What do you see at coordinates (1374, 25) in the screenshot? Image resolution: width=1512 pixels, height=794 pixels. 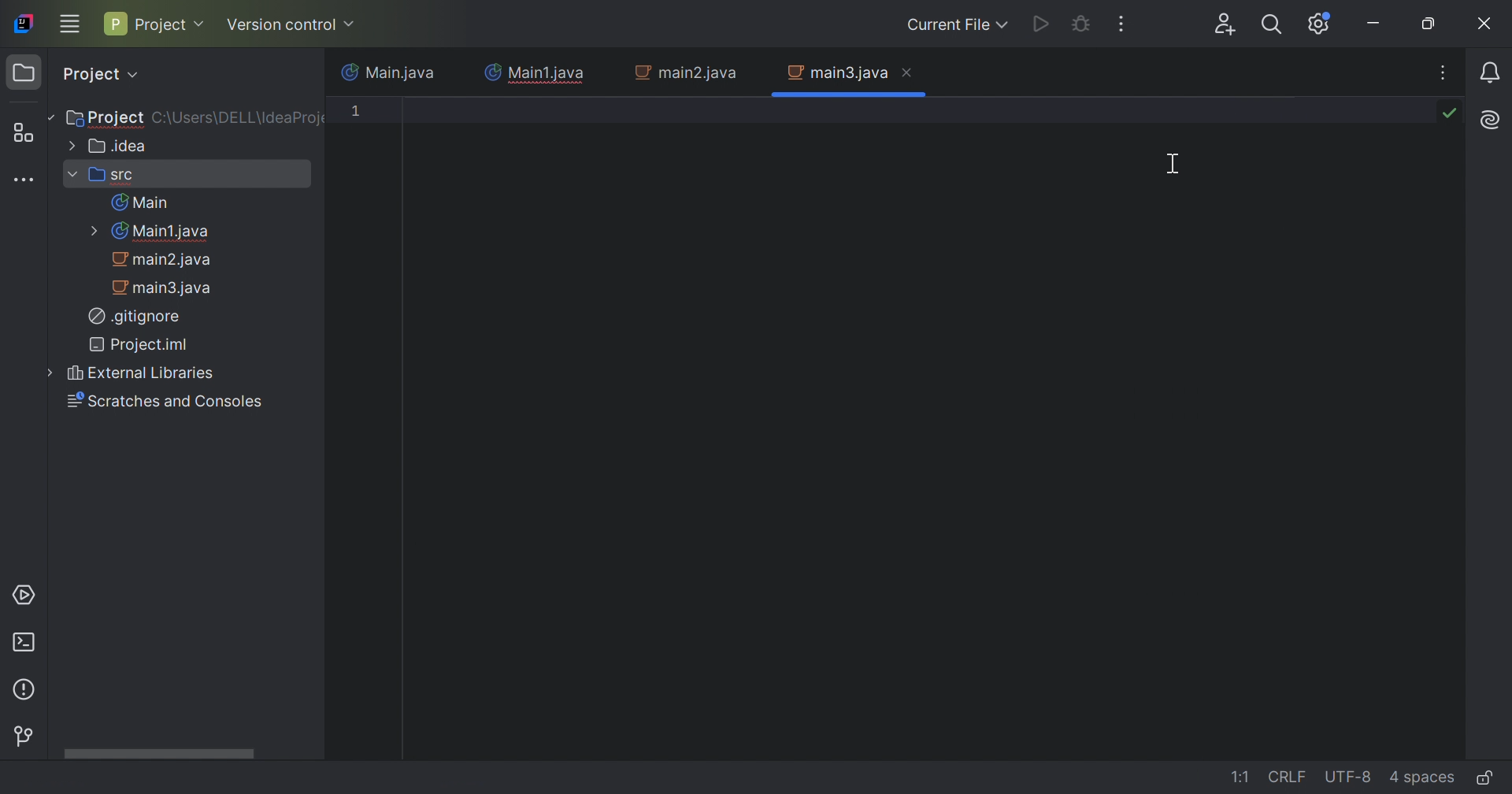 I see `Minimize` at bounding box center [1374, 25].